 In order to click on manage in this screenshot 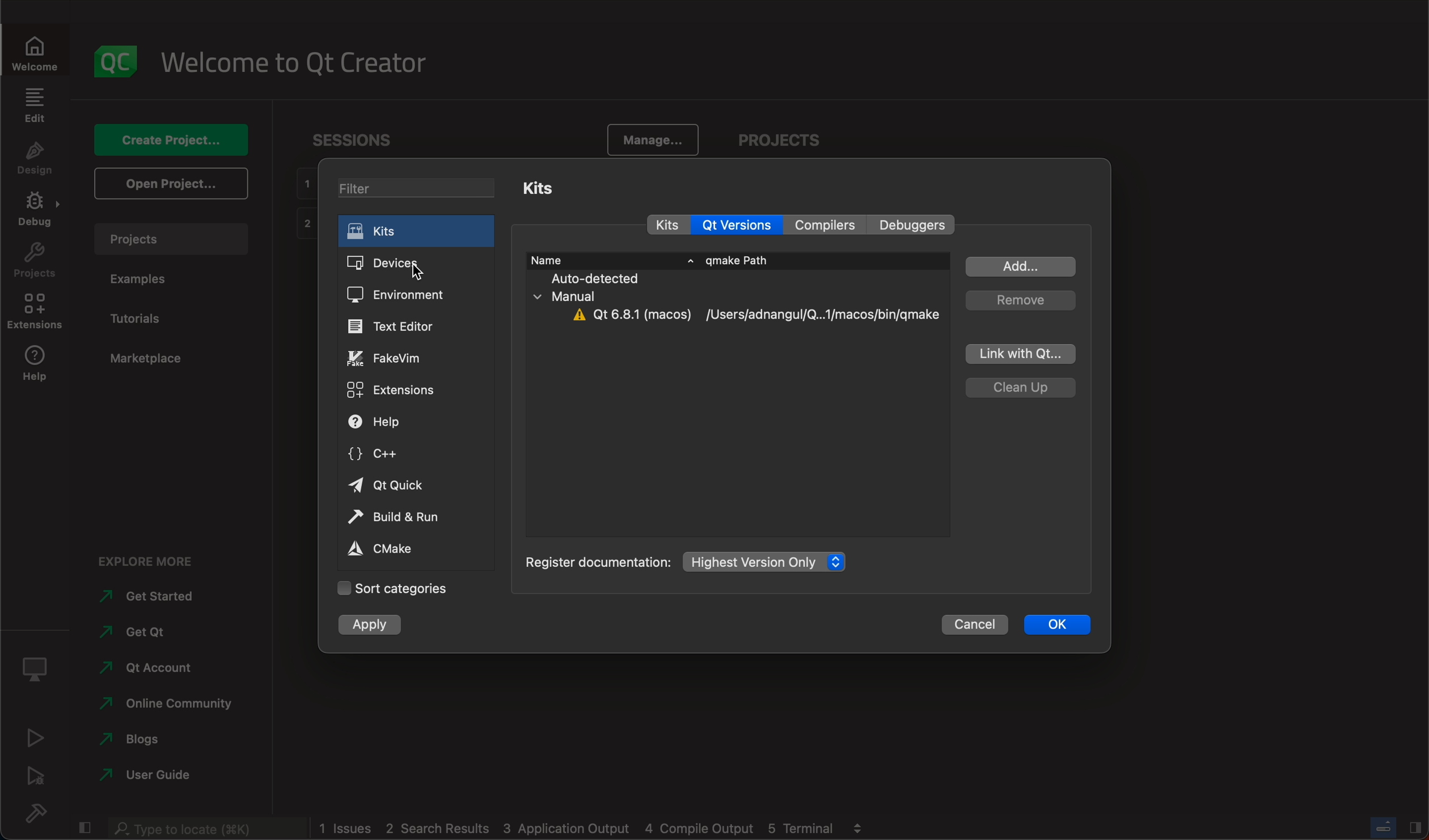, I will do `click(652, 138)`.